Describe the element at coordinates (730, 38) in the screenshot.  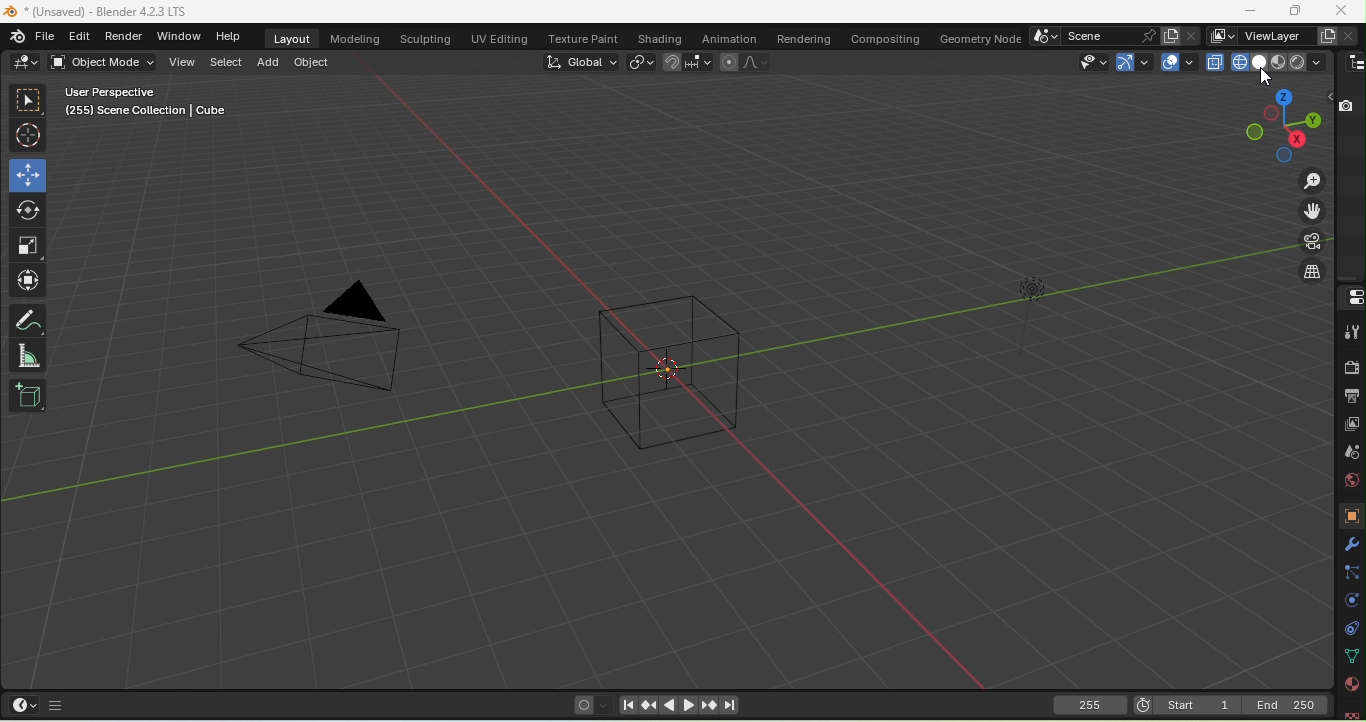
I see `Animation` at that location.